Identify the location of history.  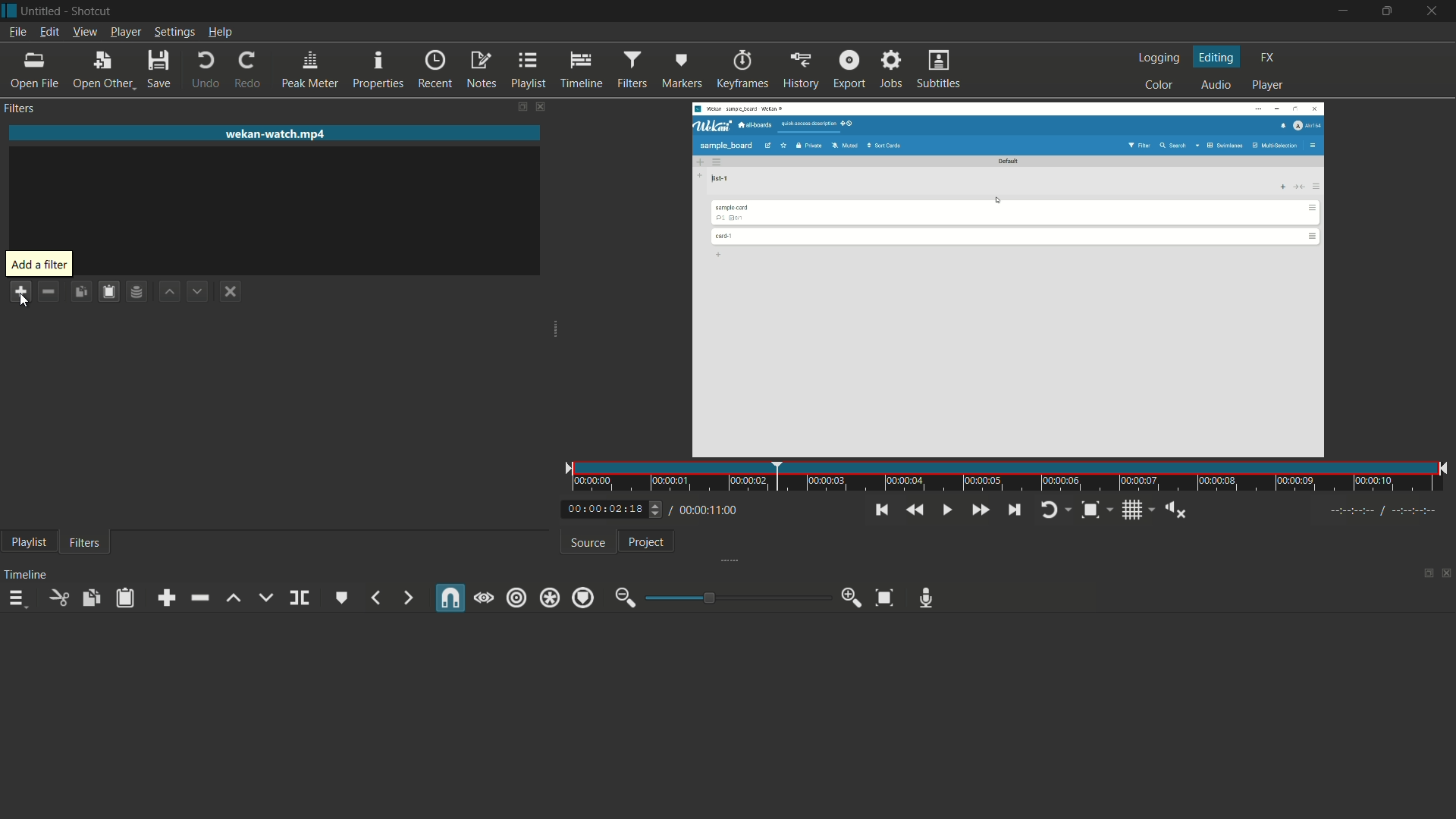
(800, 71).